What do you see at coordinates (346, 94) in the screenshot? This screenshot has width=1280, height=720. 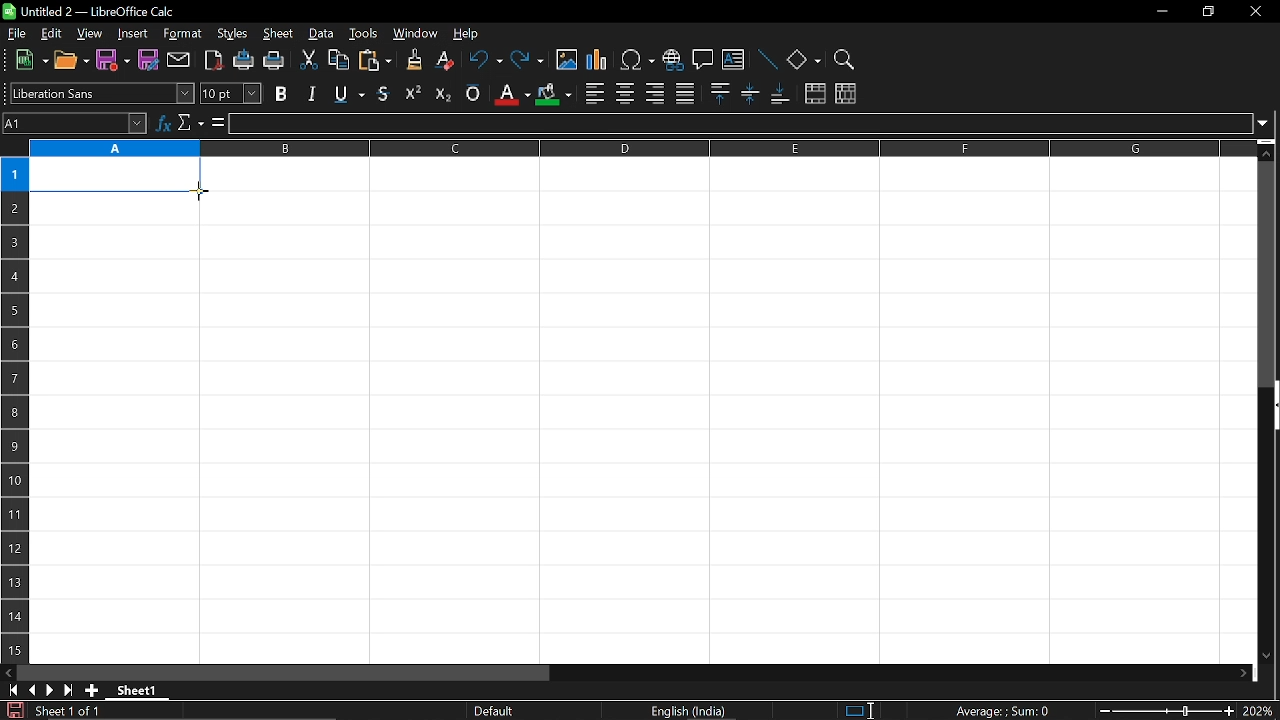 I see `underline` at bounding box center [346, 94].